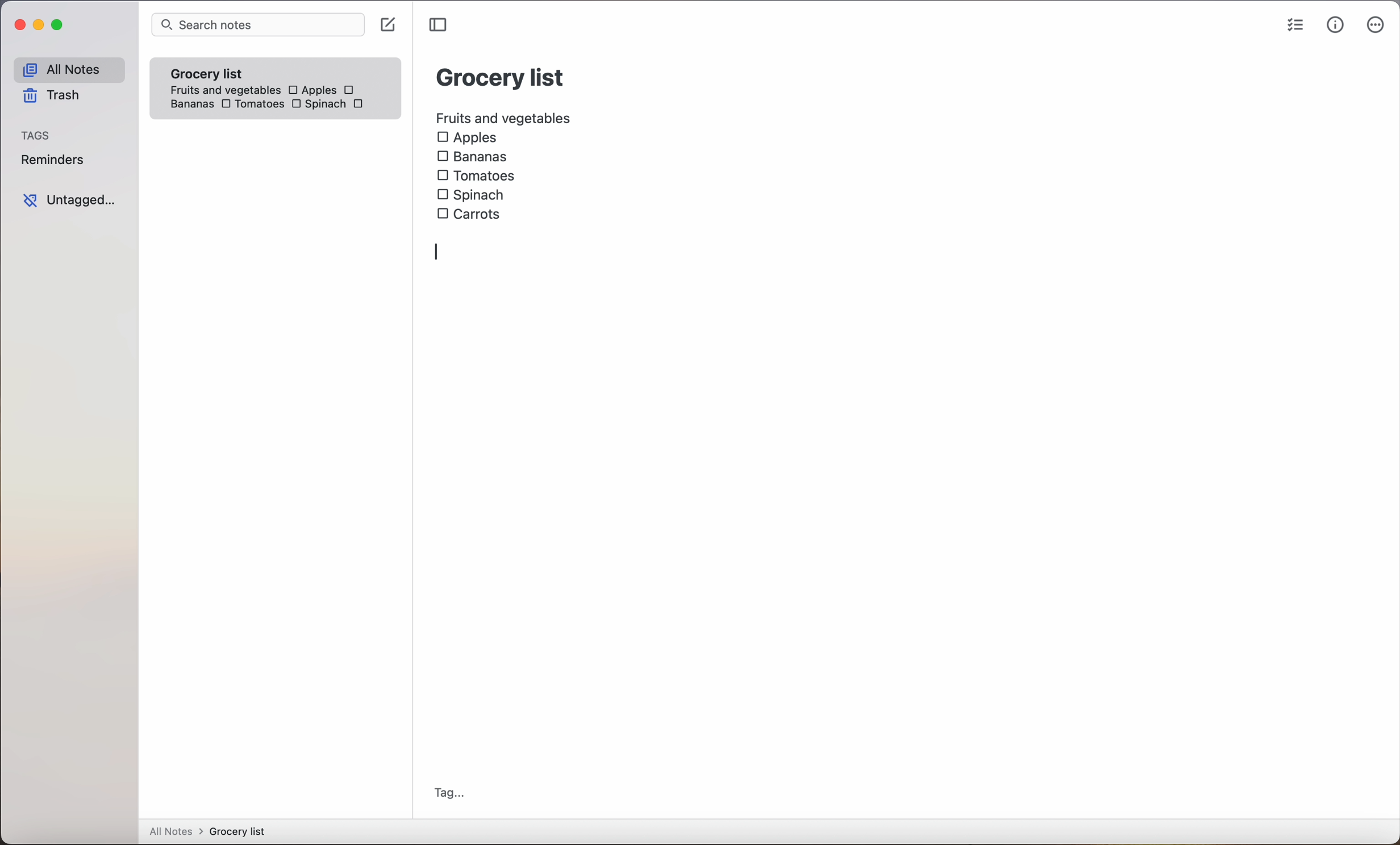  I want to click on checklist, so click(1293, 27).